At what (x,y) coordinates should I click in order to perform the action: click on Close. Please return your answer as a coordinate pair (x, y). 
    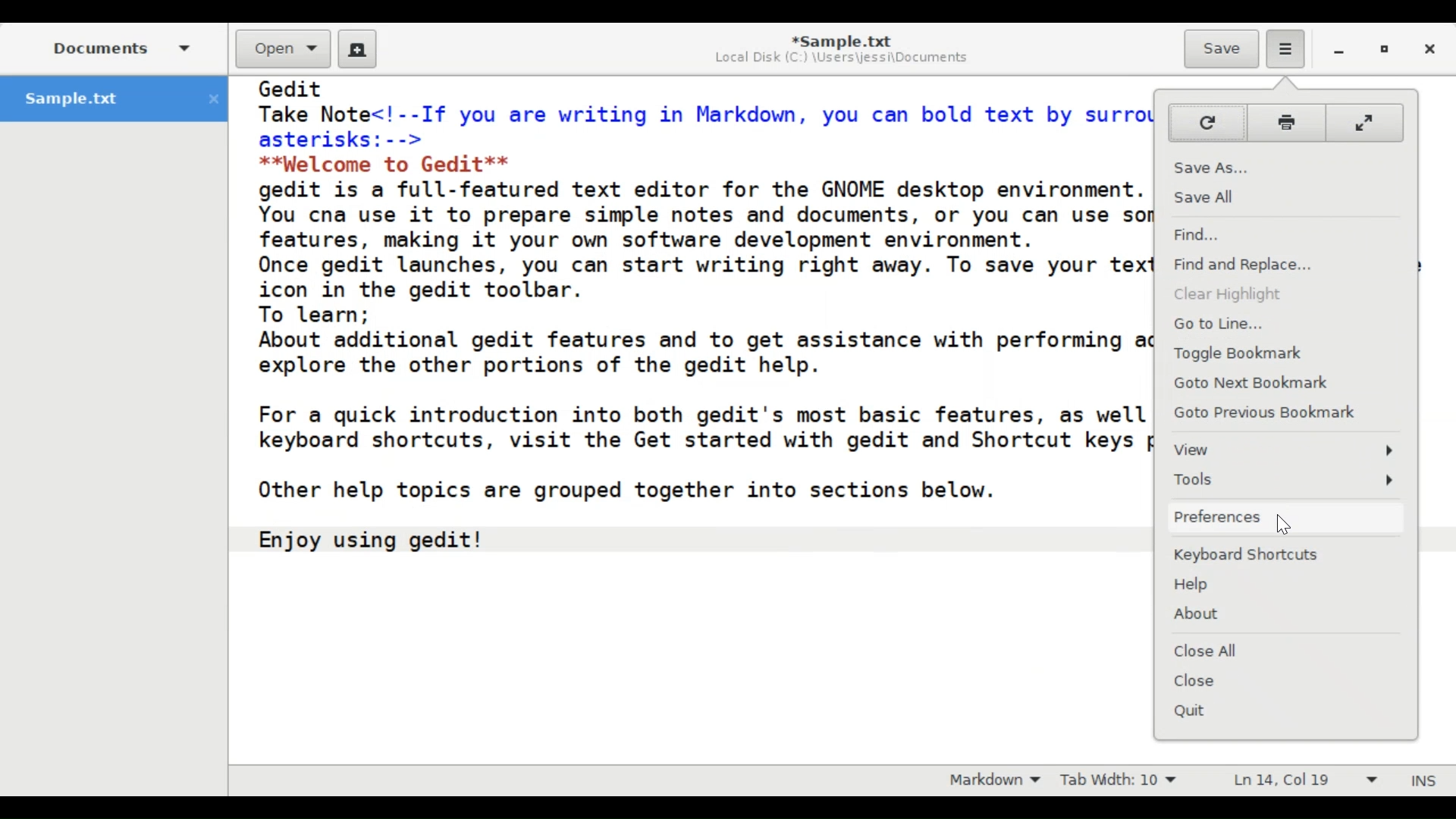
    Looking at the image, I should click on (1289, 680).